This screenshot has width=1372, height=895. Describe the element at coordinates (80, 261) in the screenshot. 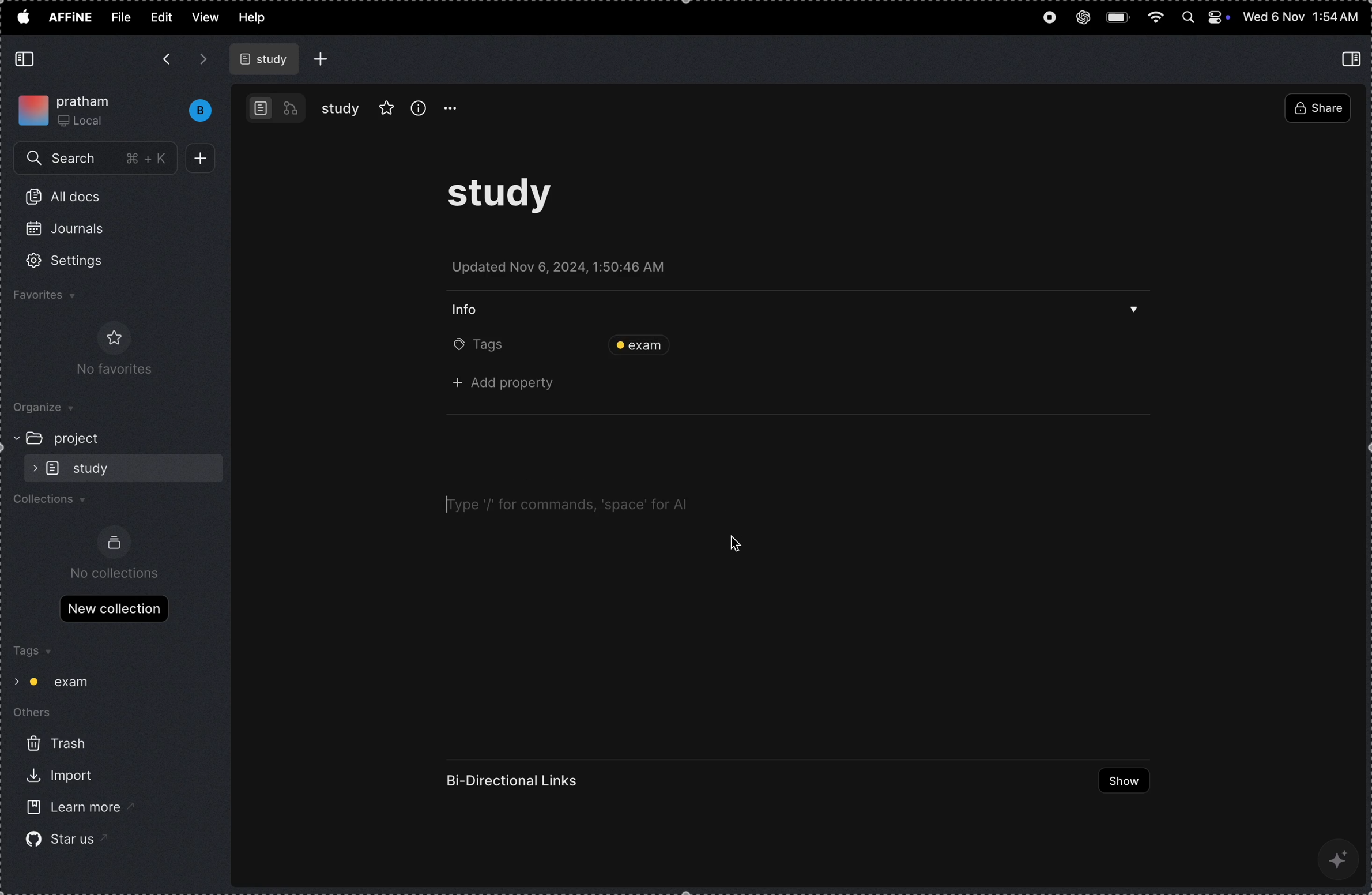

I see `settings` at that location.